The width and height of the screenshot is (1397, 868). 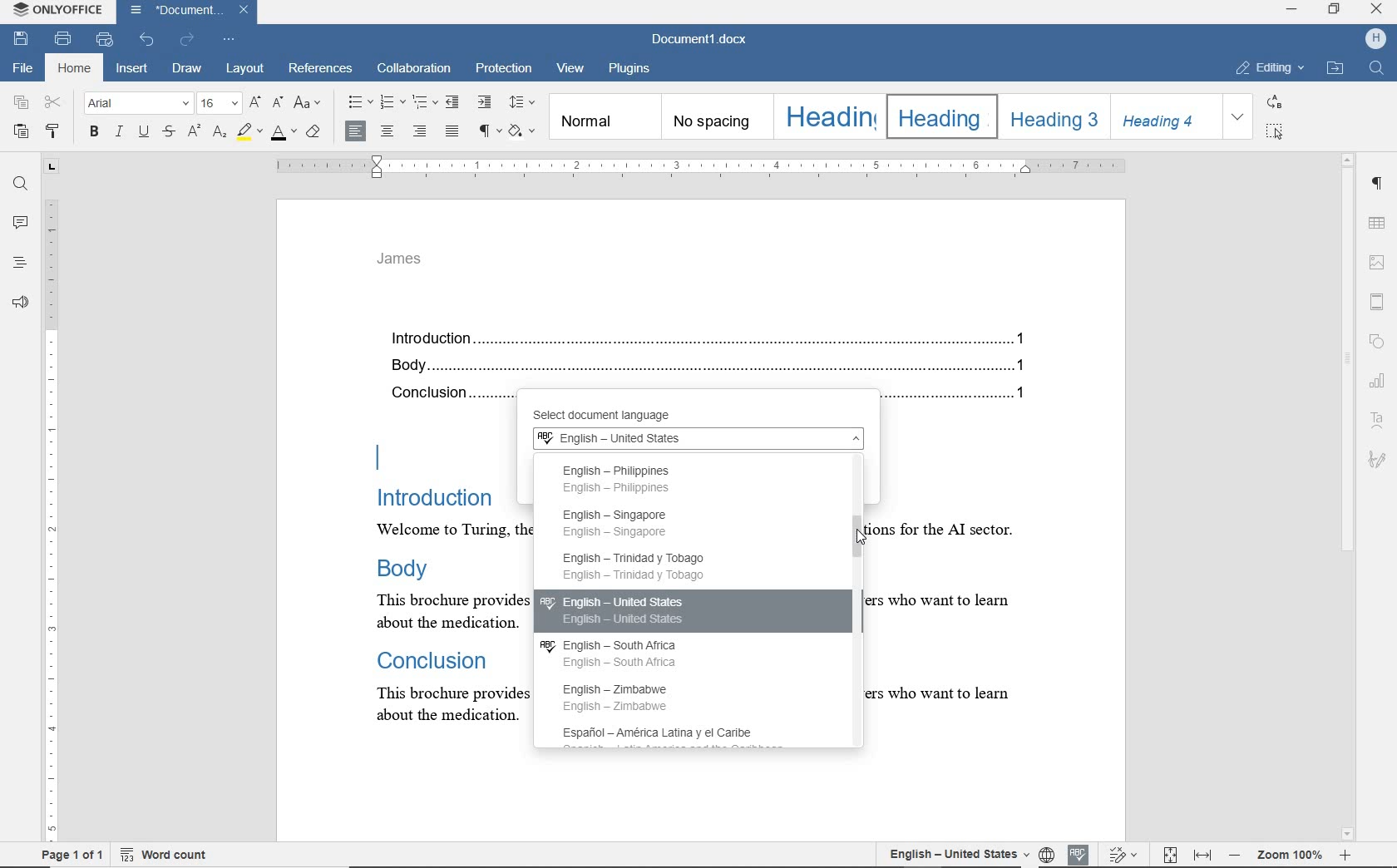 What do you see at coordinates (696, 440) in the screenshot?
I see `English - United States` at bounding box center [696, 440].